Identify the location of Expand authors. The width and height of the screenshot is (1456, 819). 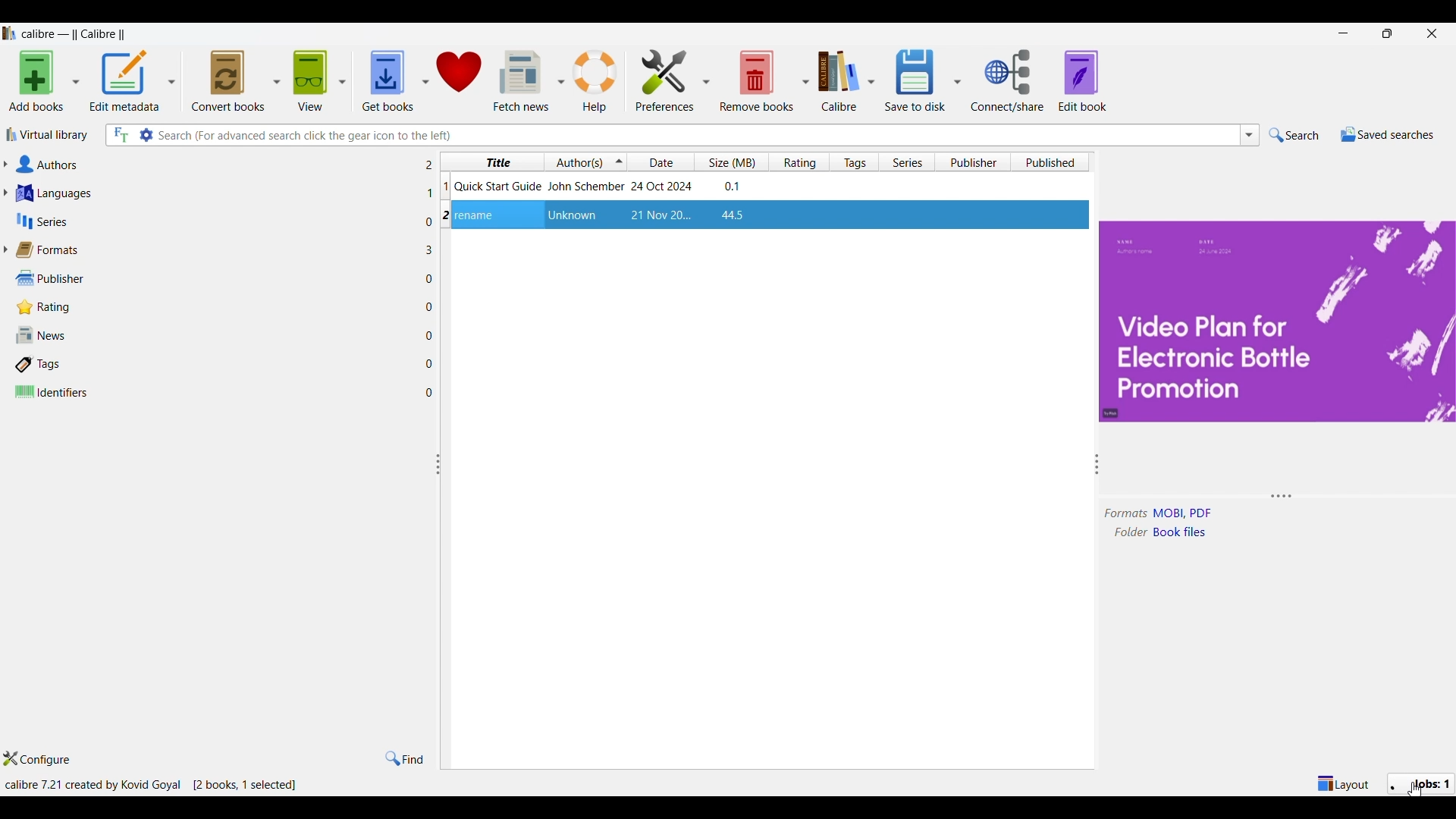
(5, 165).